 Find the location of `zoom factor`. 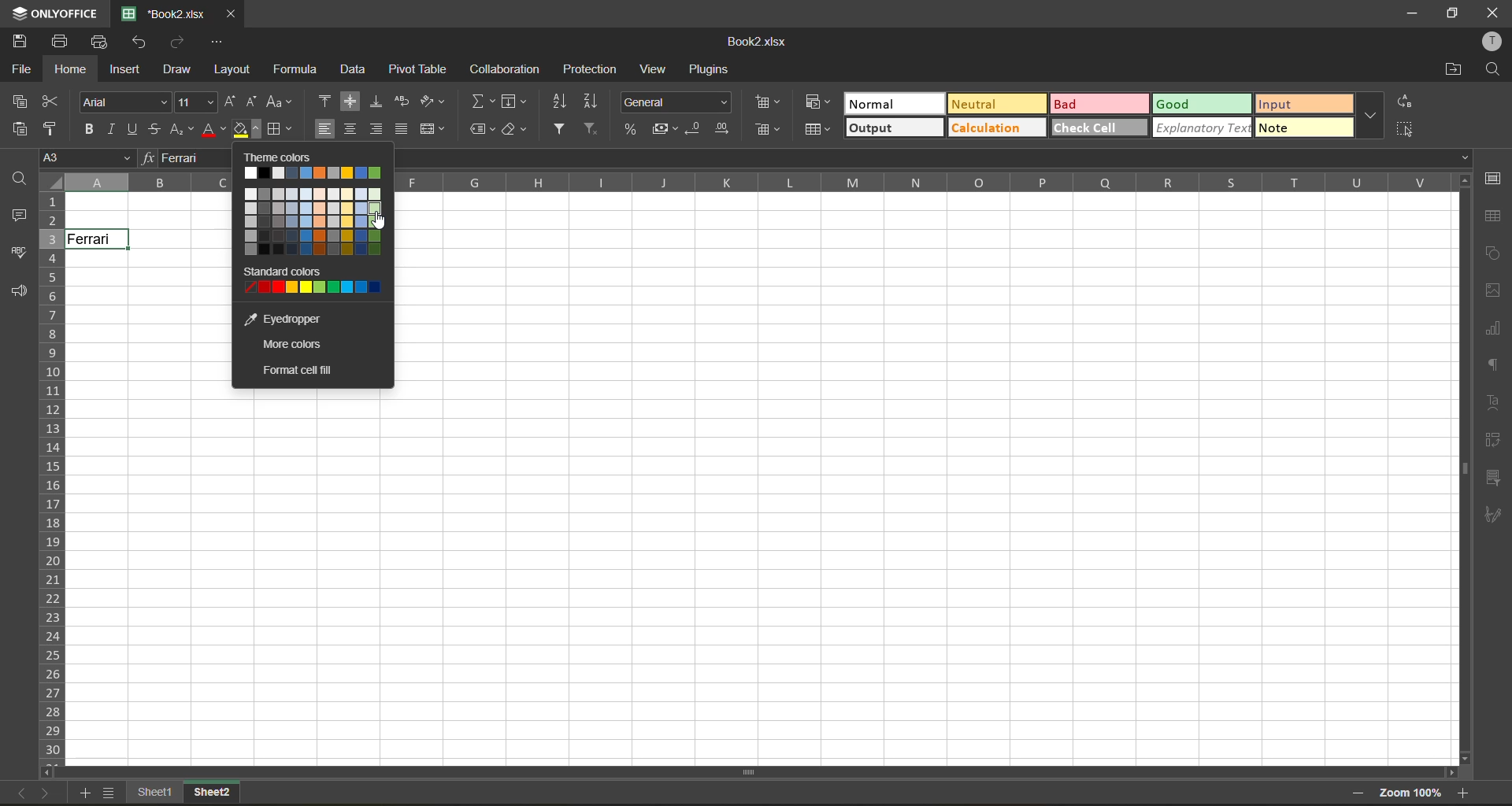

zoom factor is located at coordinates (1412, 793).